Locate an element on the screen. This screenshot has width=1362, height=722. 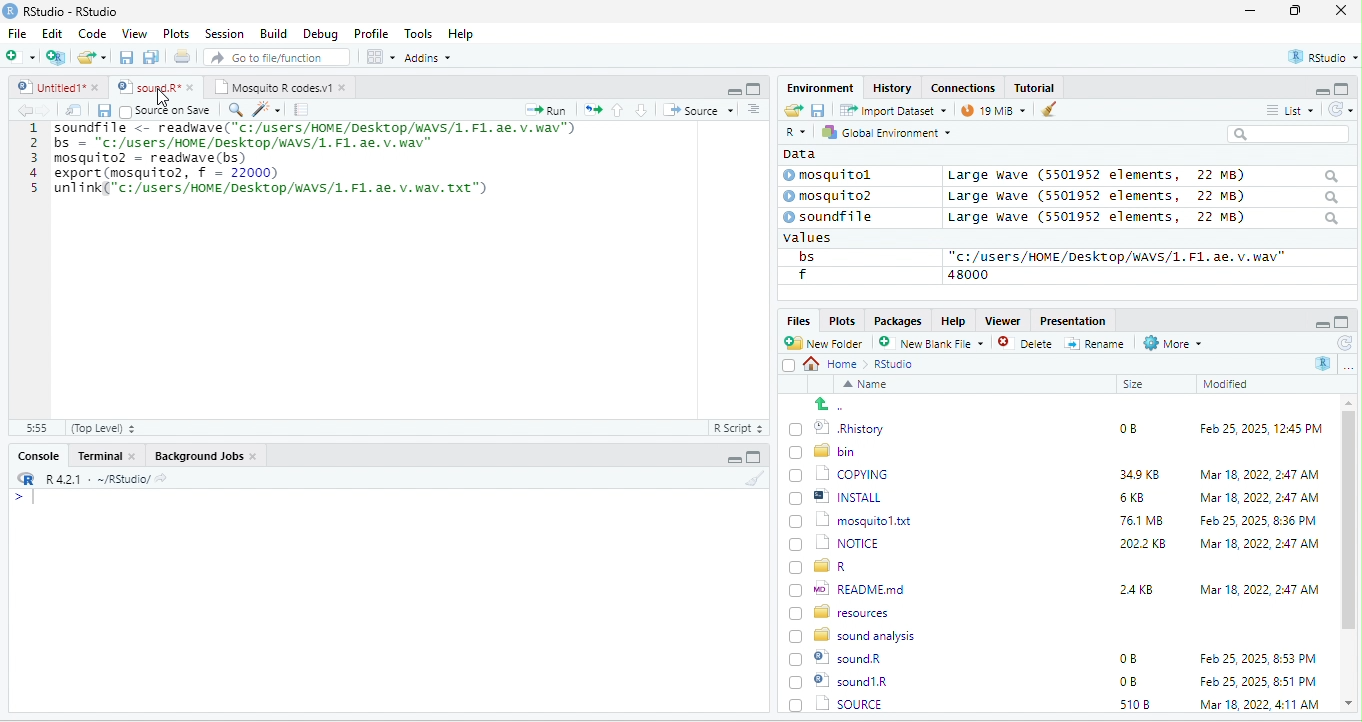
folder is located at coordinates (94, 57).